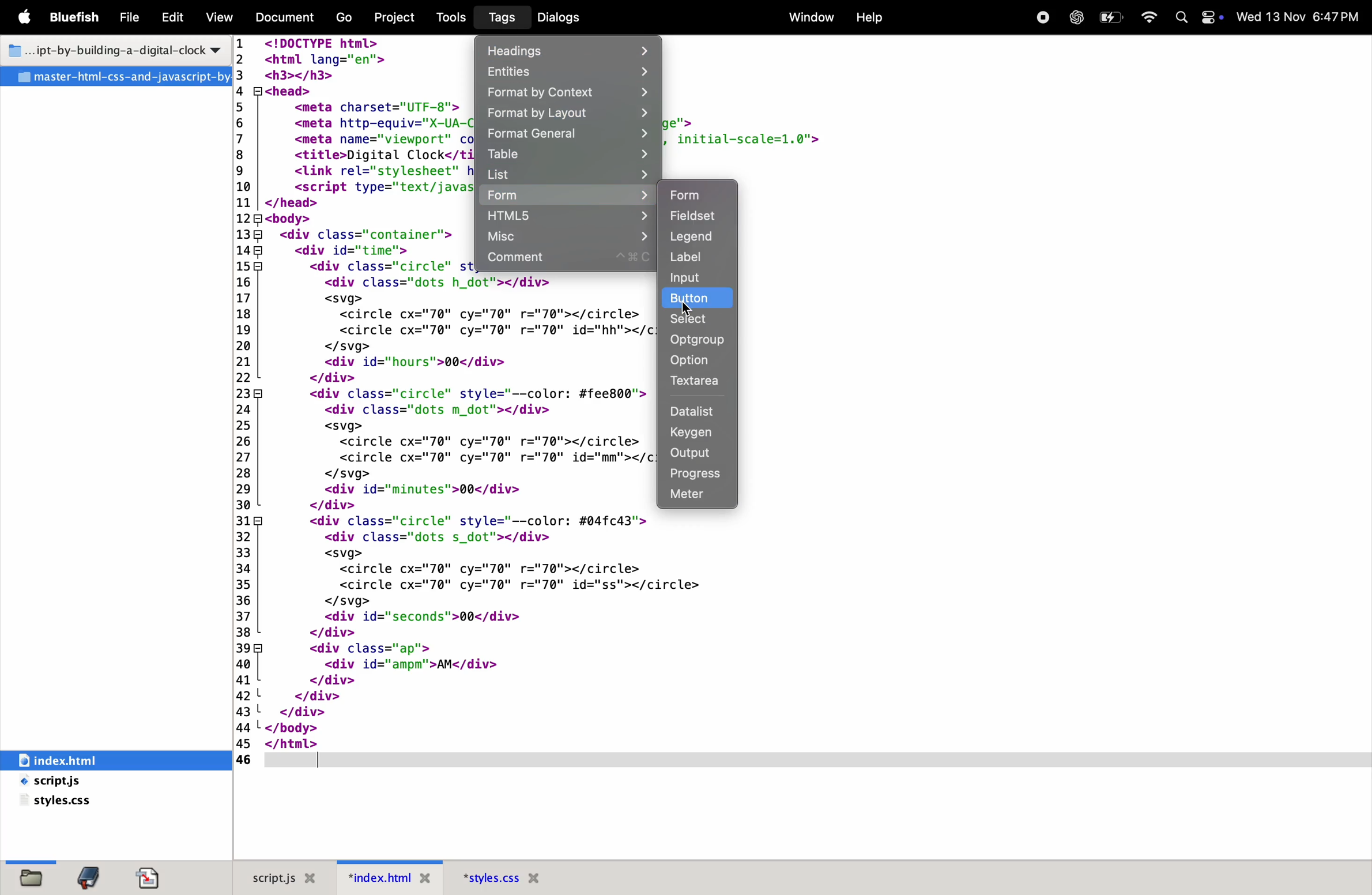  I want to click on index.html, so click(89, 759).